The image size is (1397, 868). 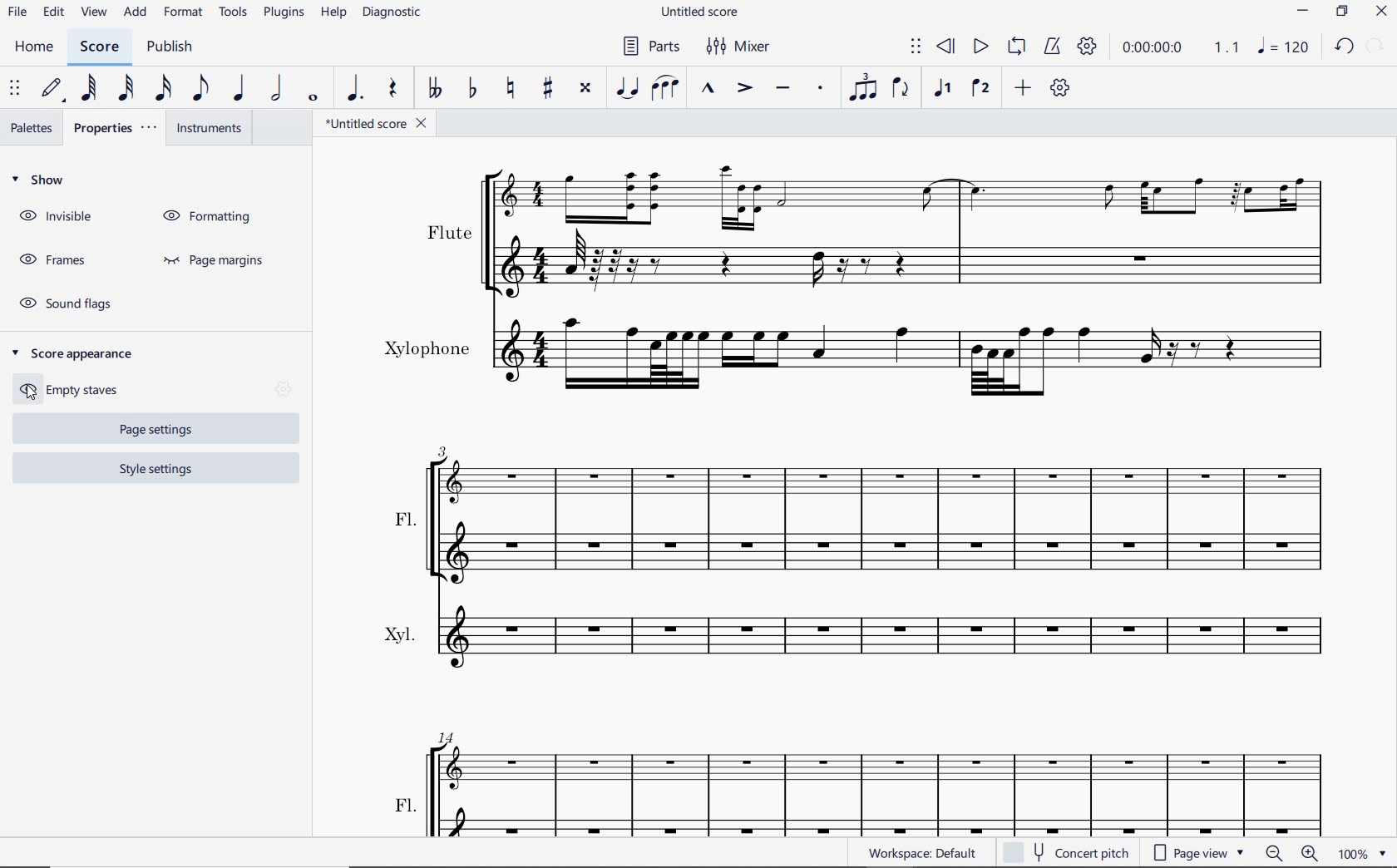 What do you see at coordinates (136, 13) in the screenshot?
I see `ADD` at bounding box center [136, 13].